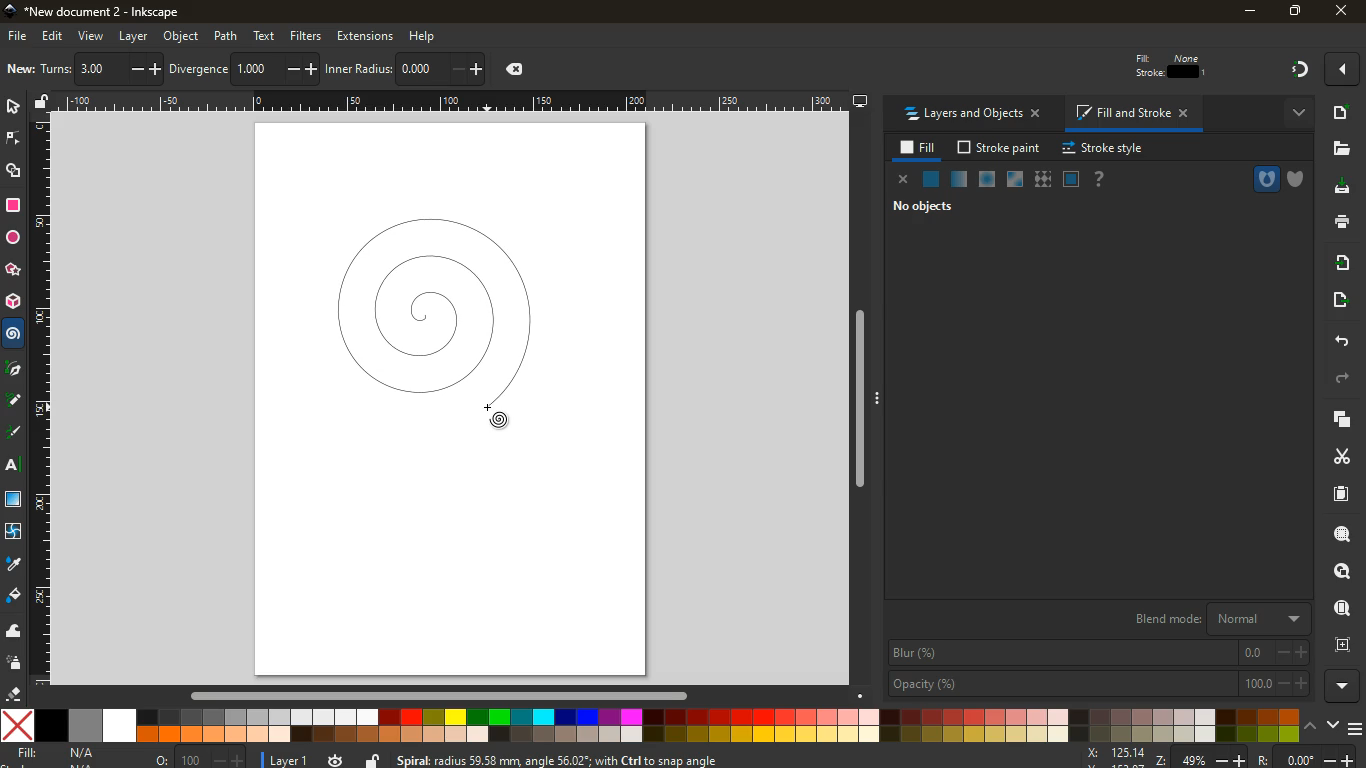 The width and height of the screenshot is (1366, 768). What do you see at coordinates (1246, 12) in the screenshot?
I see `minimize` at bounding box center [1246, 12].